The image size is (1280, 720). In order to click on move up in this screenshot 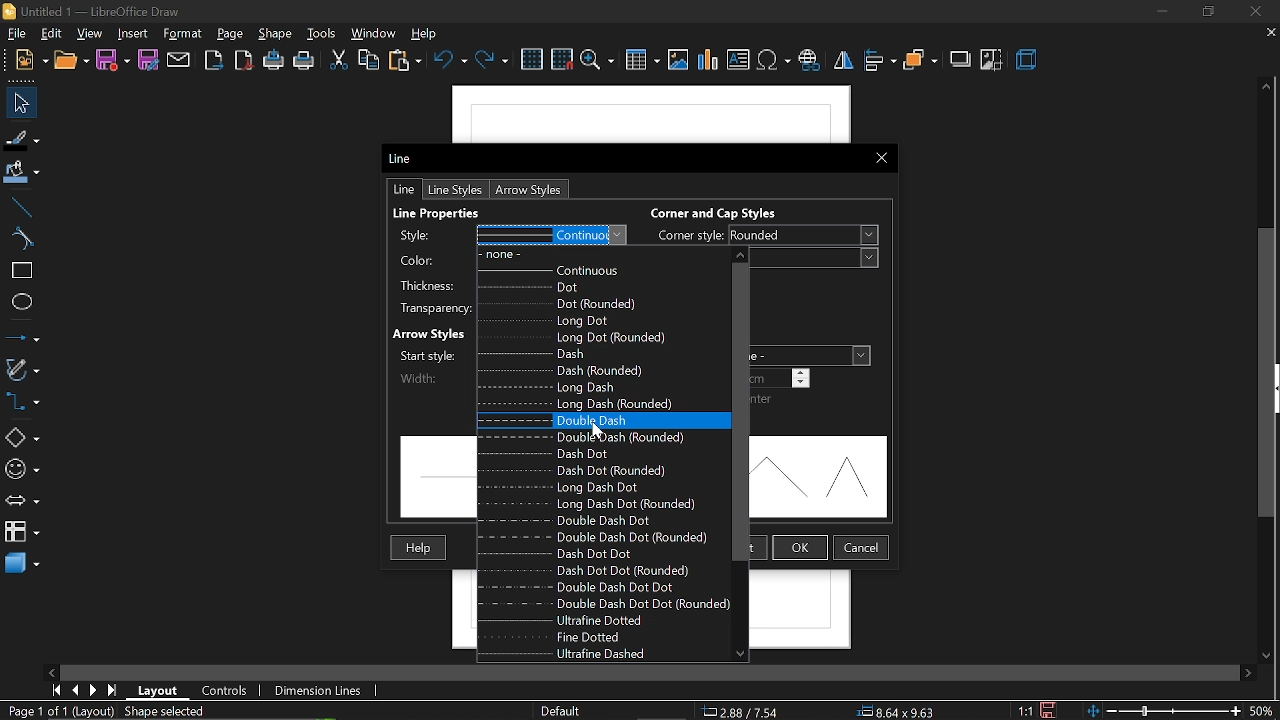, I will do `click(1265, 86)`.